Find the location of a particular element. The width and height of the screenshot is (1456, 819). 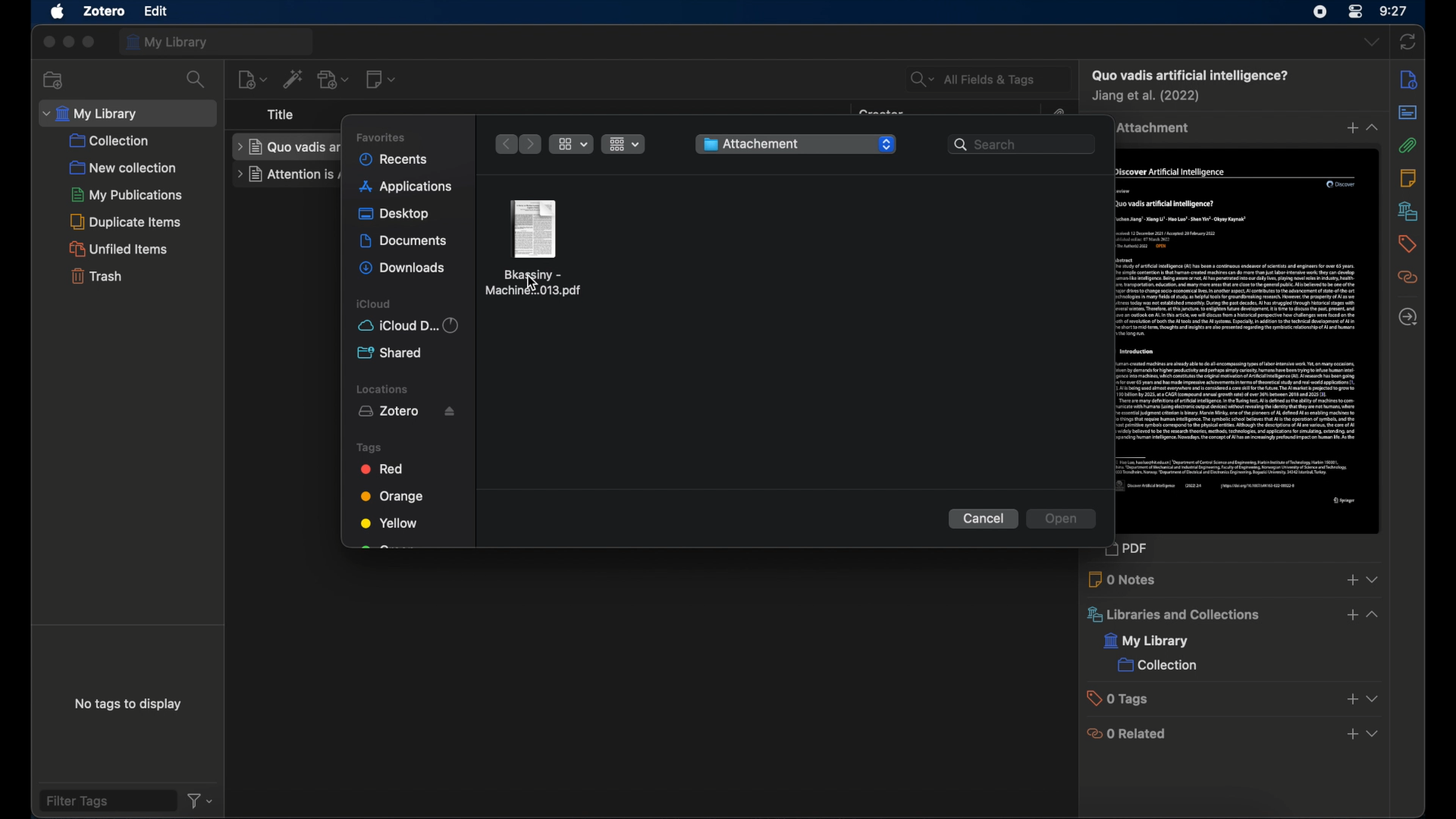

dropdown menu is located at coordinates (1374, 579).